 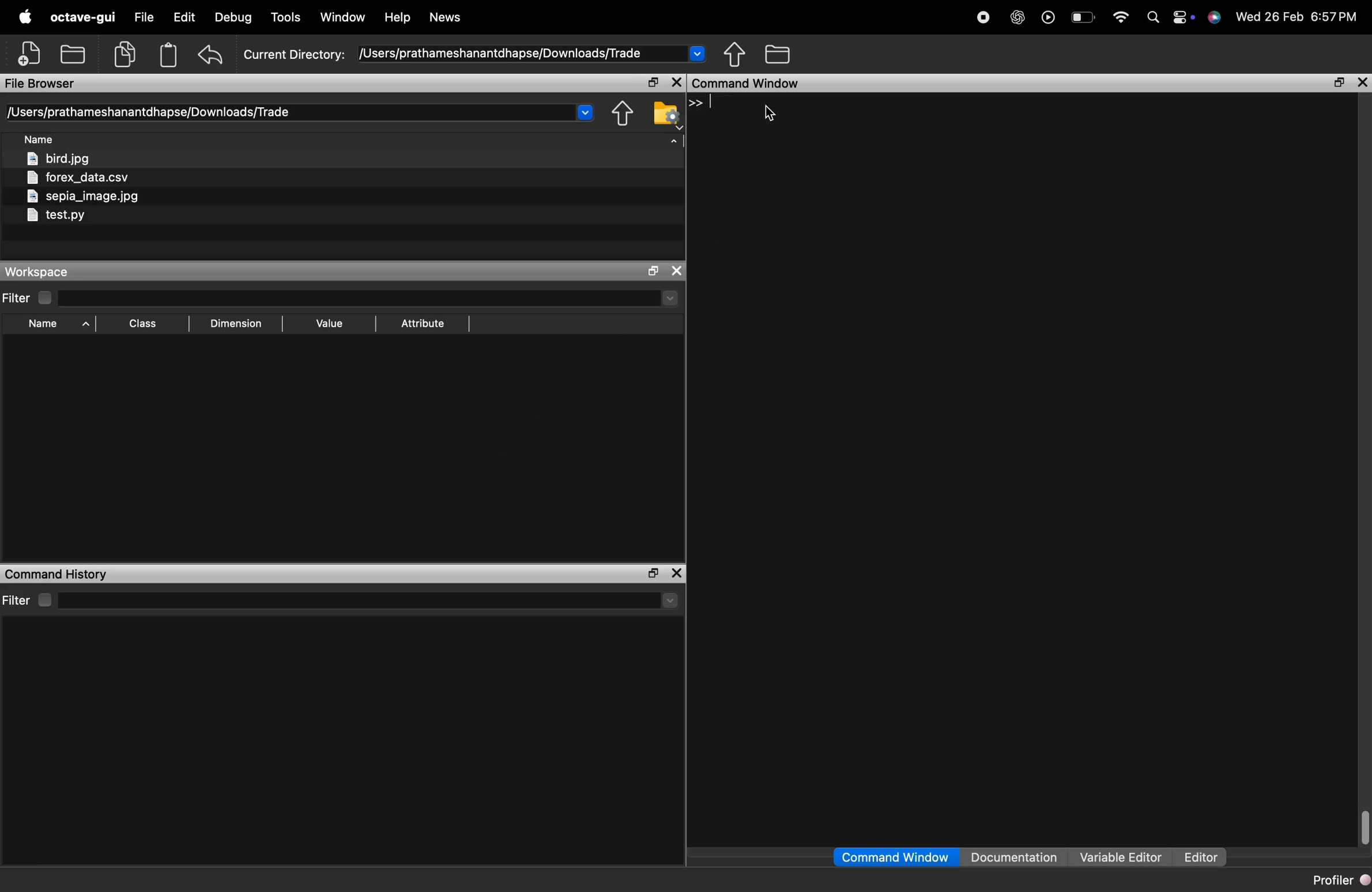 I want to click on debug, so click(x=234, y=18).